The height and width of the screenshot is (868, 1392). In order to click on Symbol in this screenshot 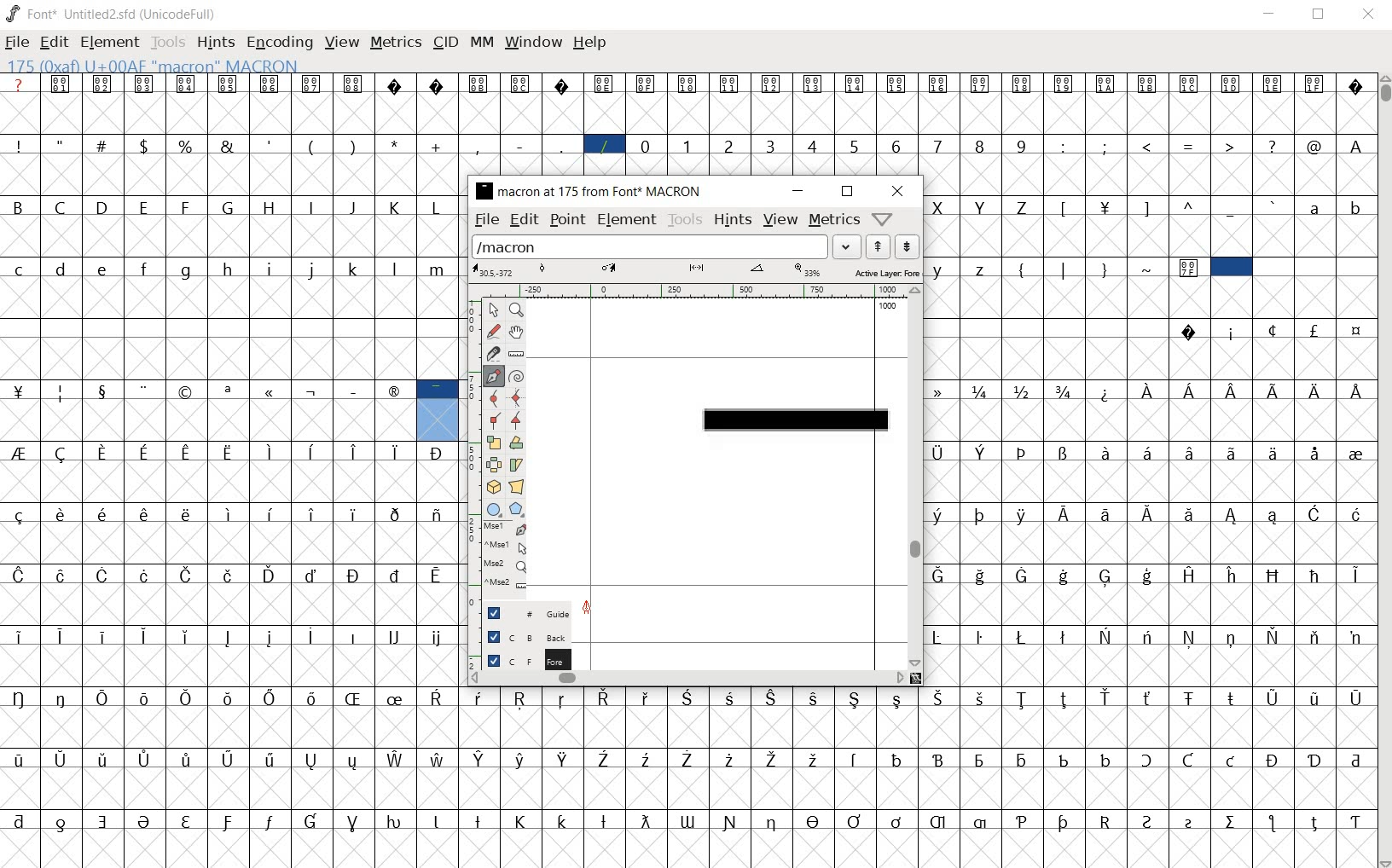, I will do `click(351, 636)`.